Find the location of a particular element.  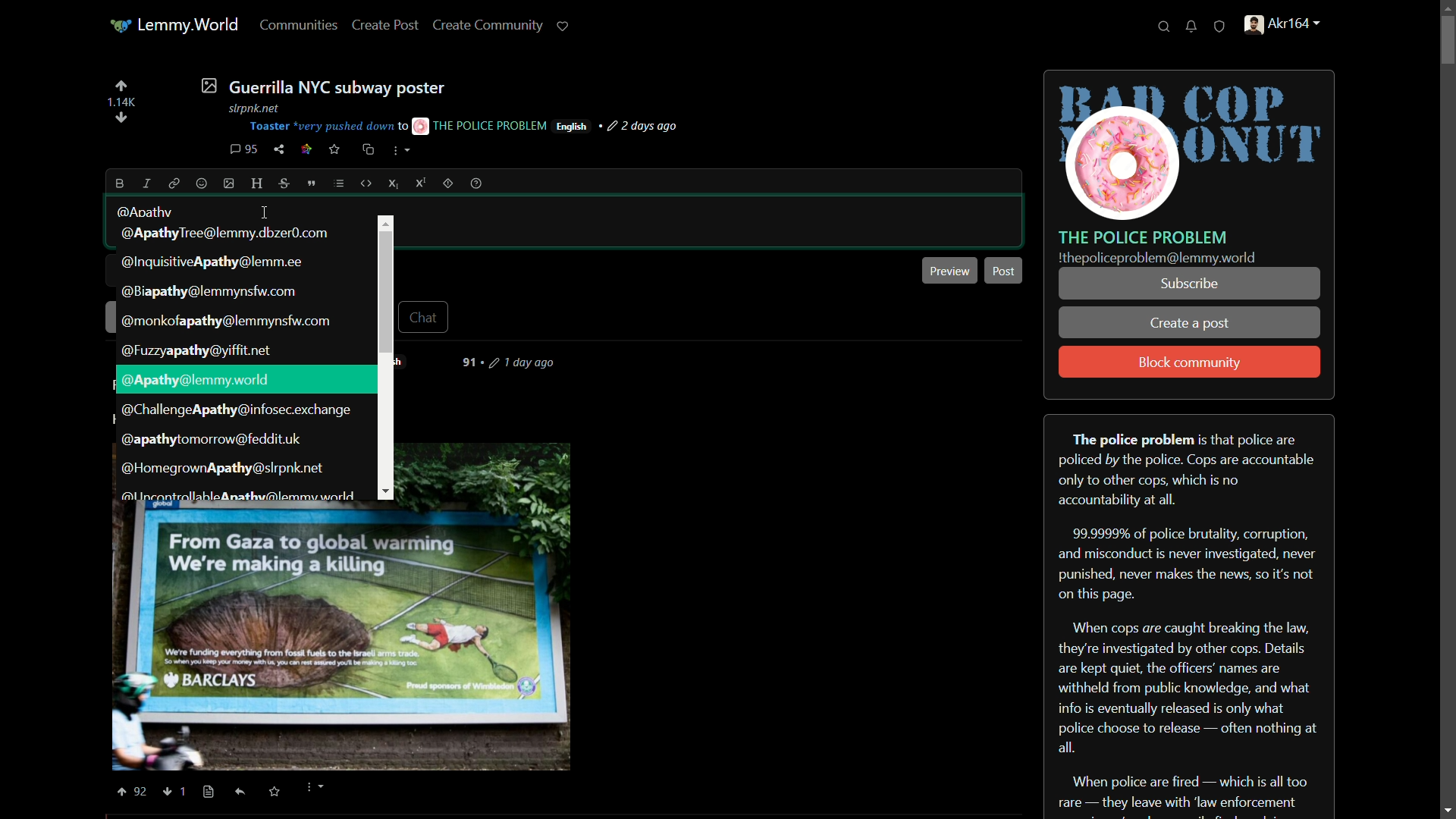

create community  is located at coordinates (491, 24).